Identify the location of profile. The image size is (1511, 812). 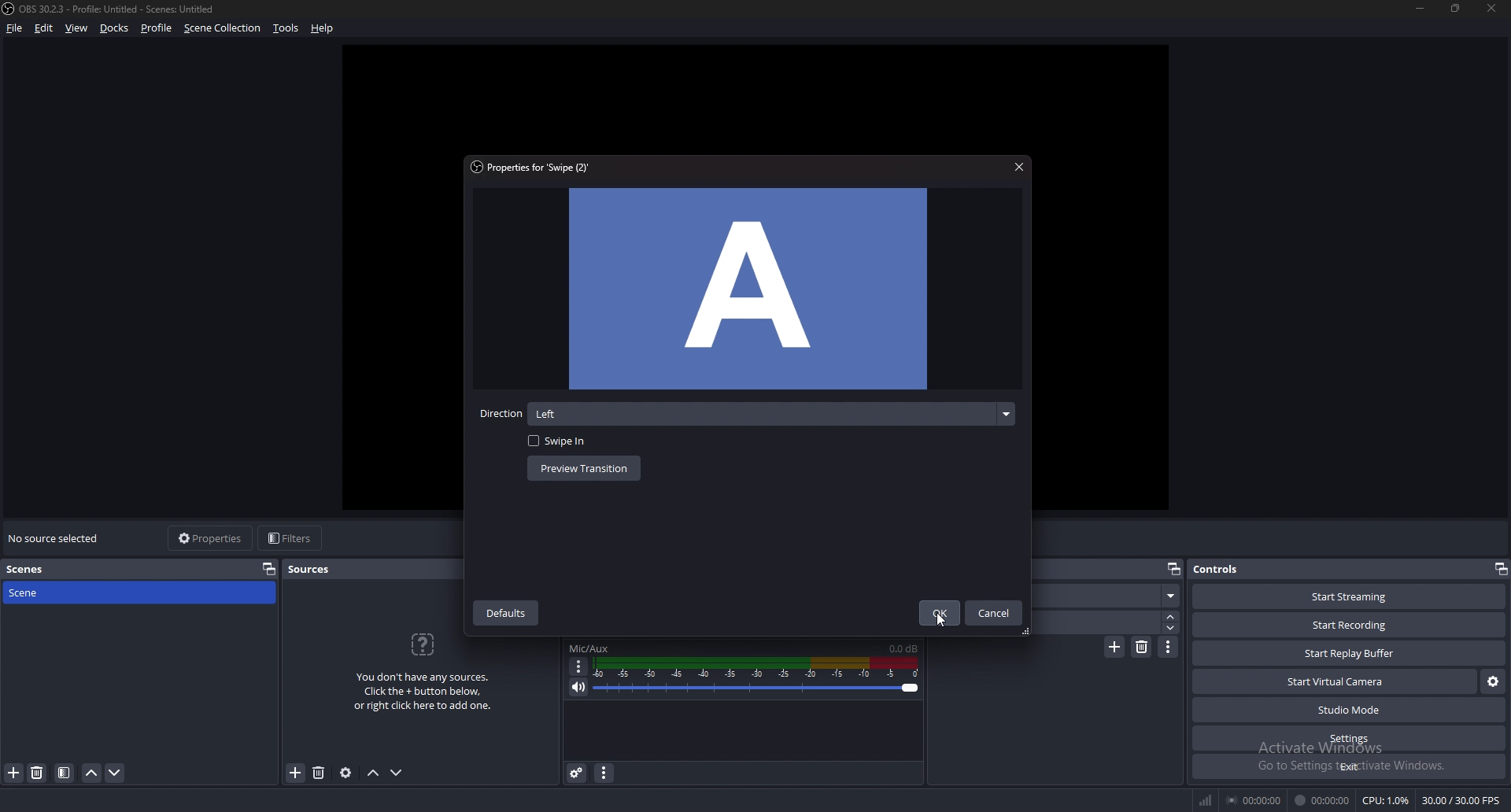
(158, 28).